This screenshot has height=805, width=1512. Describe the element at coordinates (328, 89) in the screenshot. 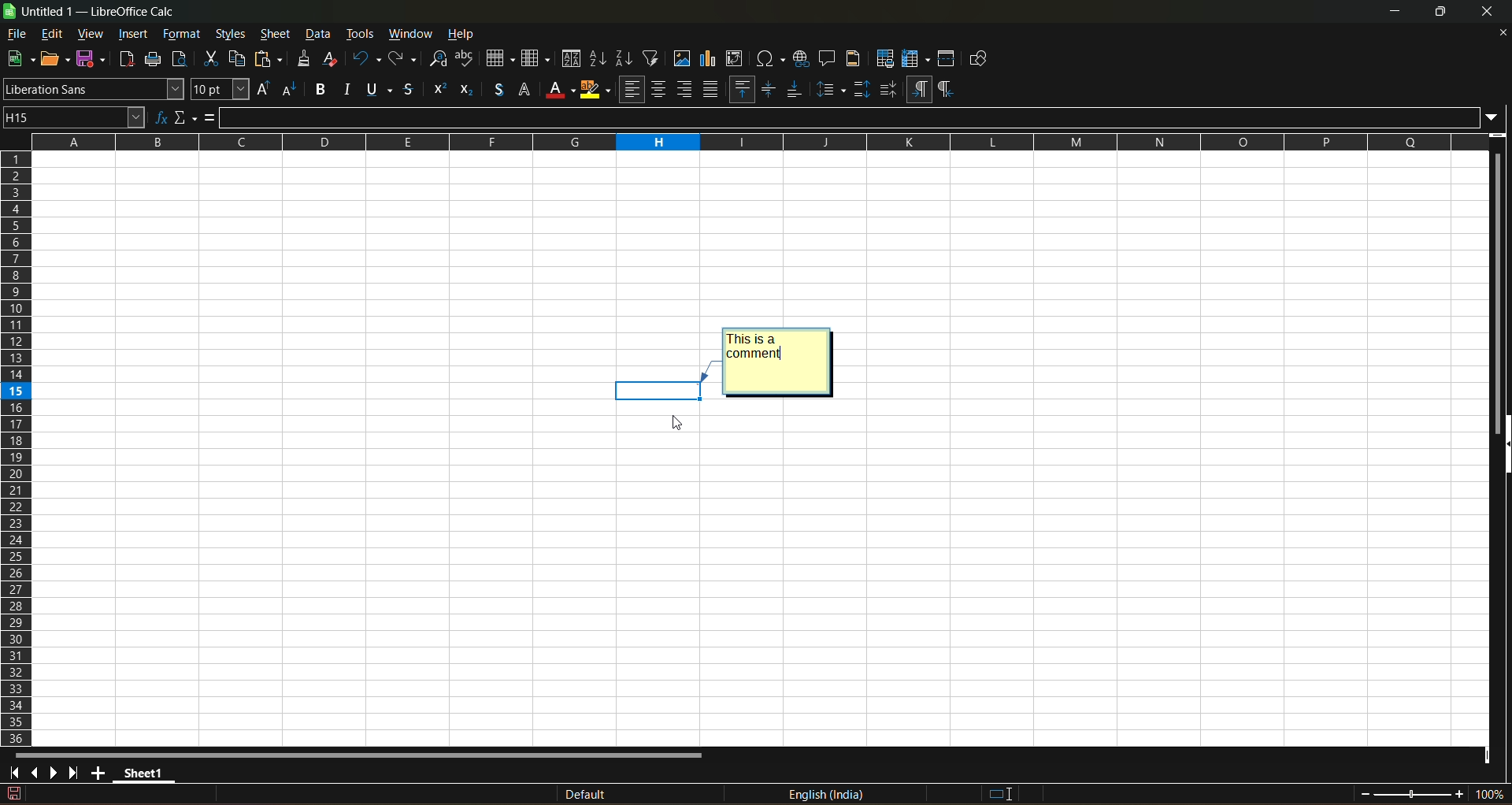

I see `underlinr` at that location.